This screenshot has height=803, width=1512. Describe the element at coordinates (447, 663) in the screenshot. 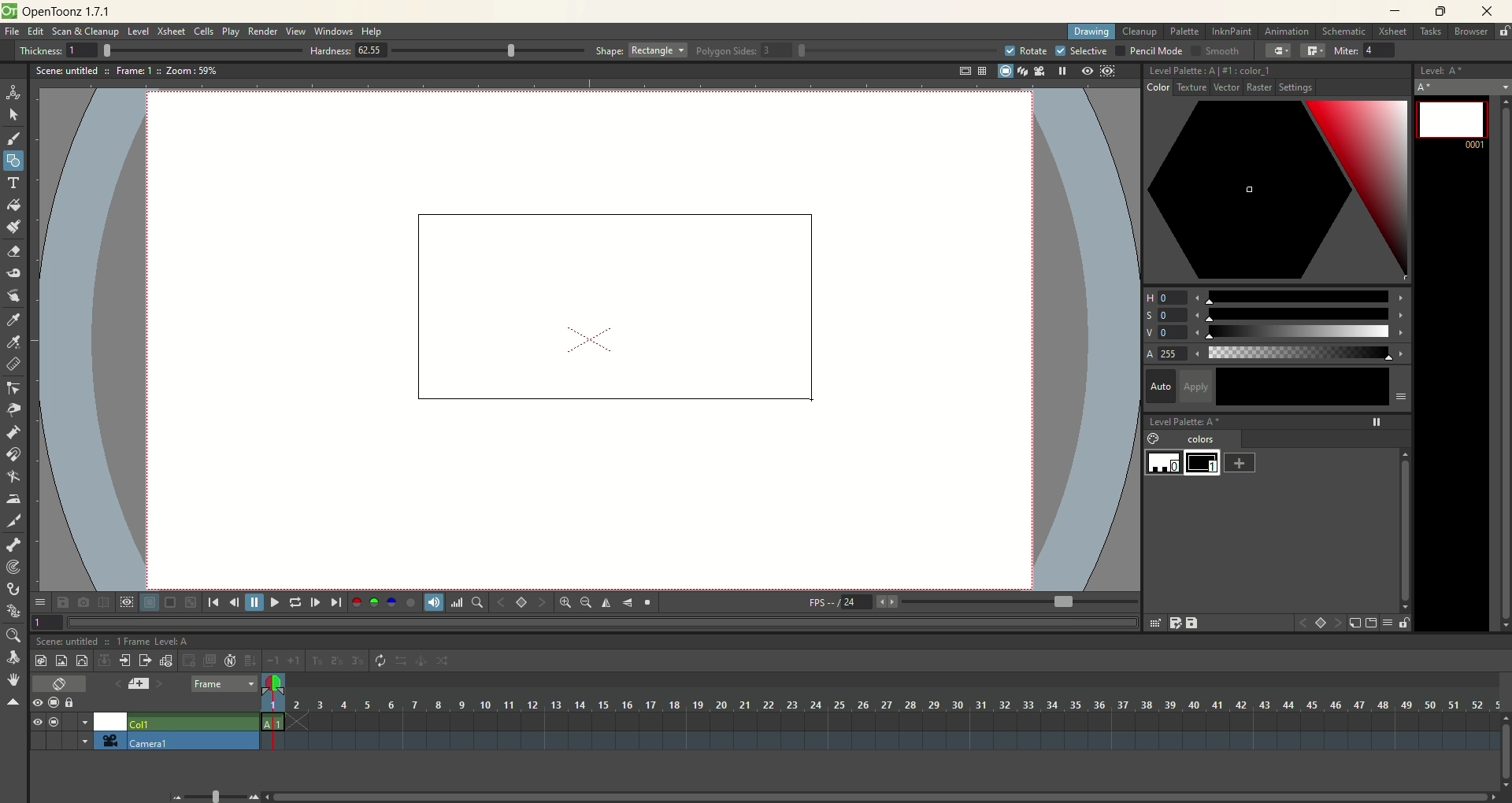

I see `random` at that location.